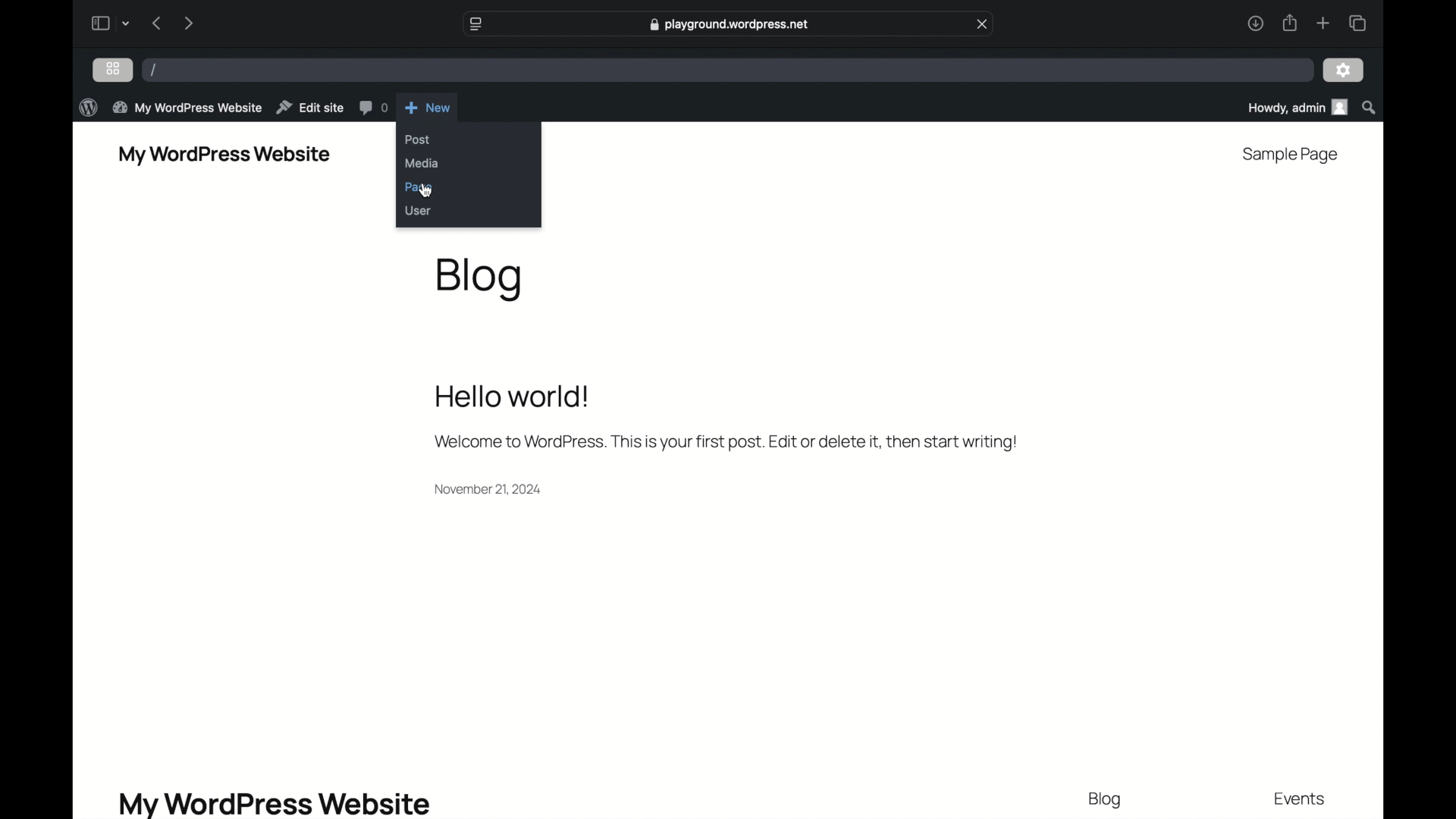 This screenshot has width=1456, height=819. Describe the element at coordinates (419, 187) in the screenshot. I see `page` at that location.